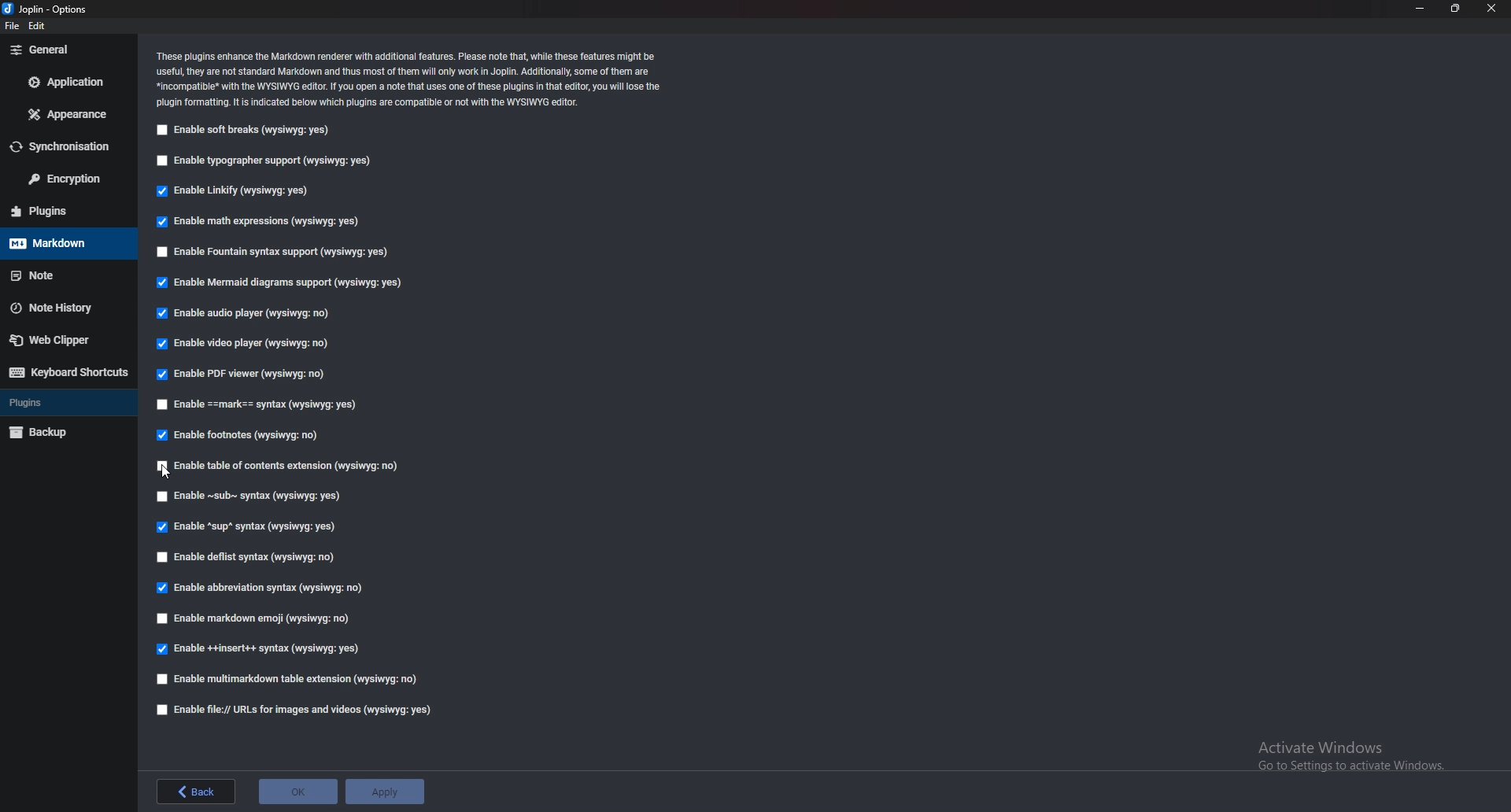 This screenshot has height=812, width=1511. What do you see at coordinates (386, 792) in the screenshot?
I see `apply` at bounding box center [386, 792].